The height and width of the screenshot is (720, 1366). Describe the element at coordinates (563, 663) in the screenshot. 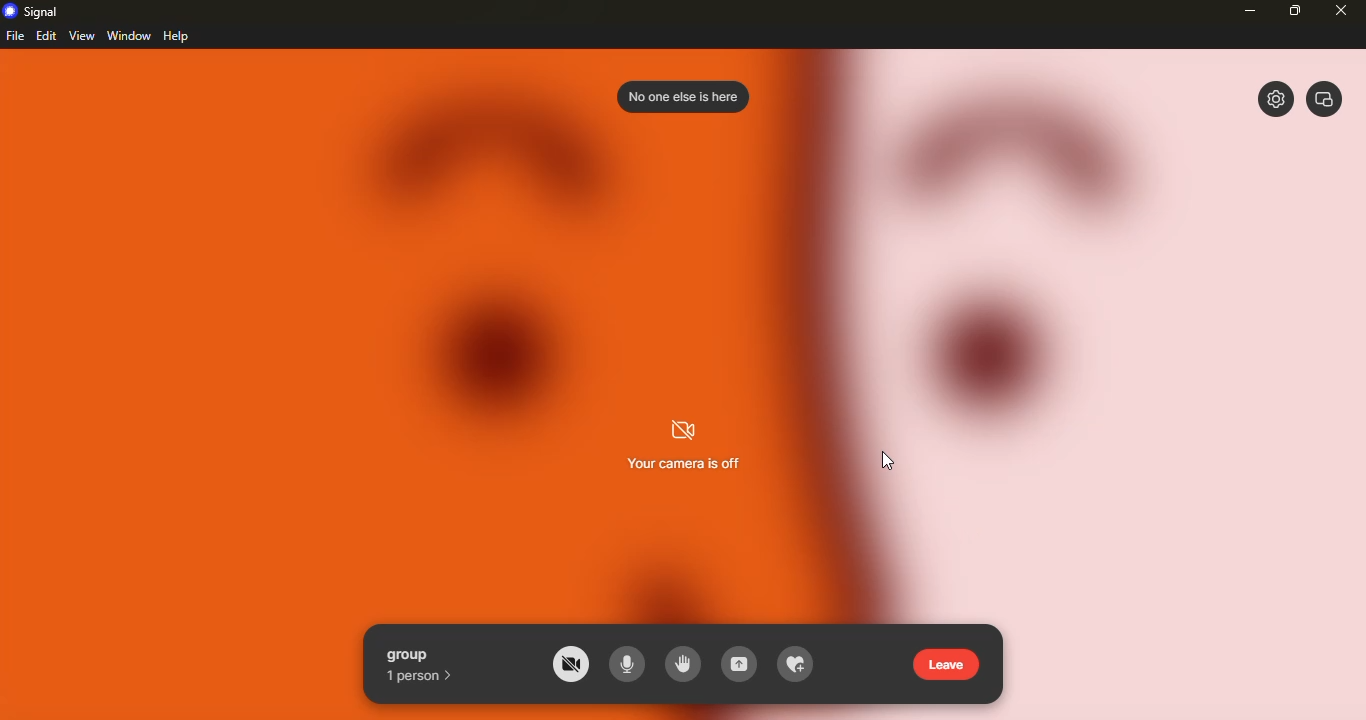

I see `camera off` at that location.